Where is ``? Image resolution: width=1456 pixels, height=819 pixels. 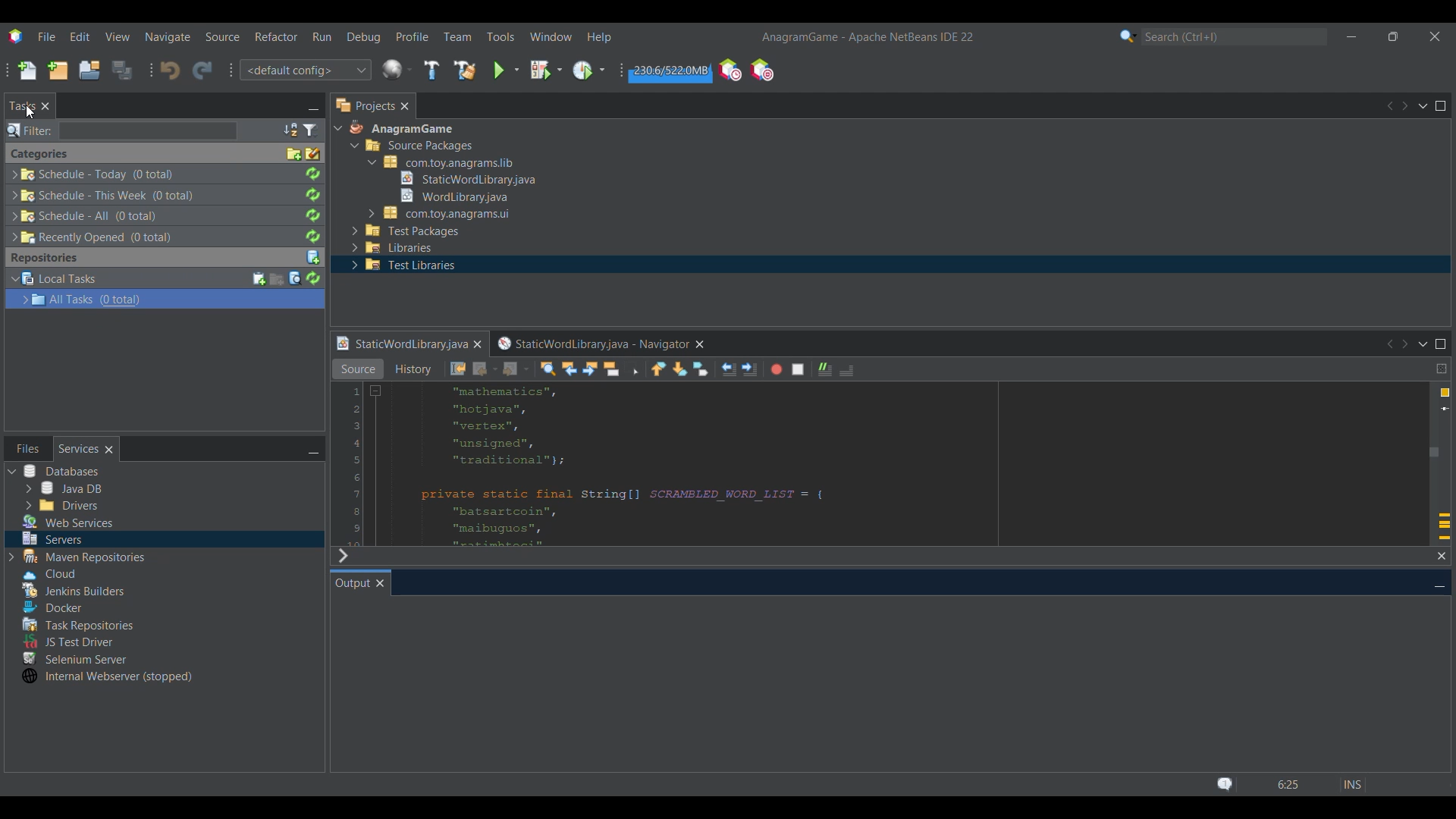  is located at coordinates (49, 605).